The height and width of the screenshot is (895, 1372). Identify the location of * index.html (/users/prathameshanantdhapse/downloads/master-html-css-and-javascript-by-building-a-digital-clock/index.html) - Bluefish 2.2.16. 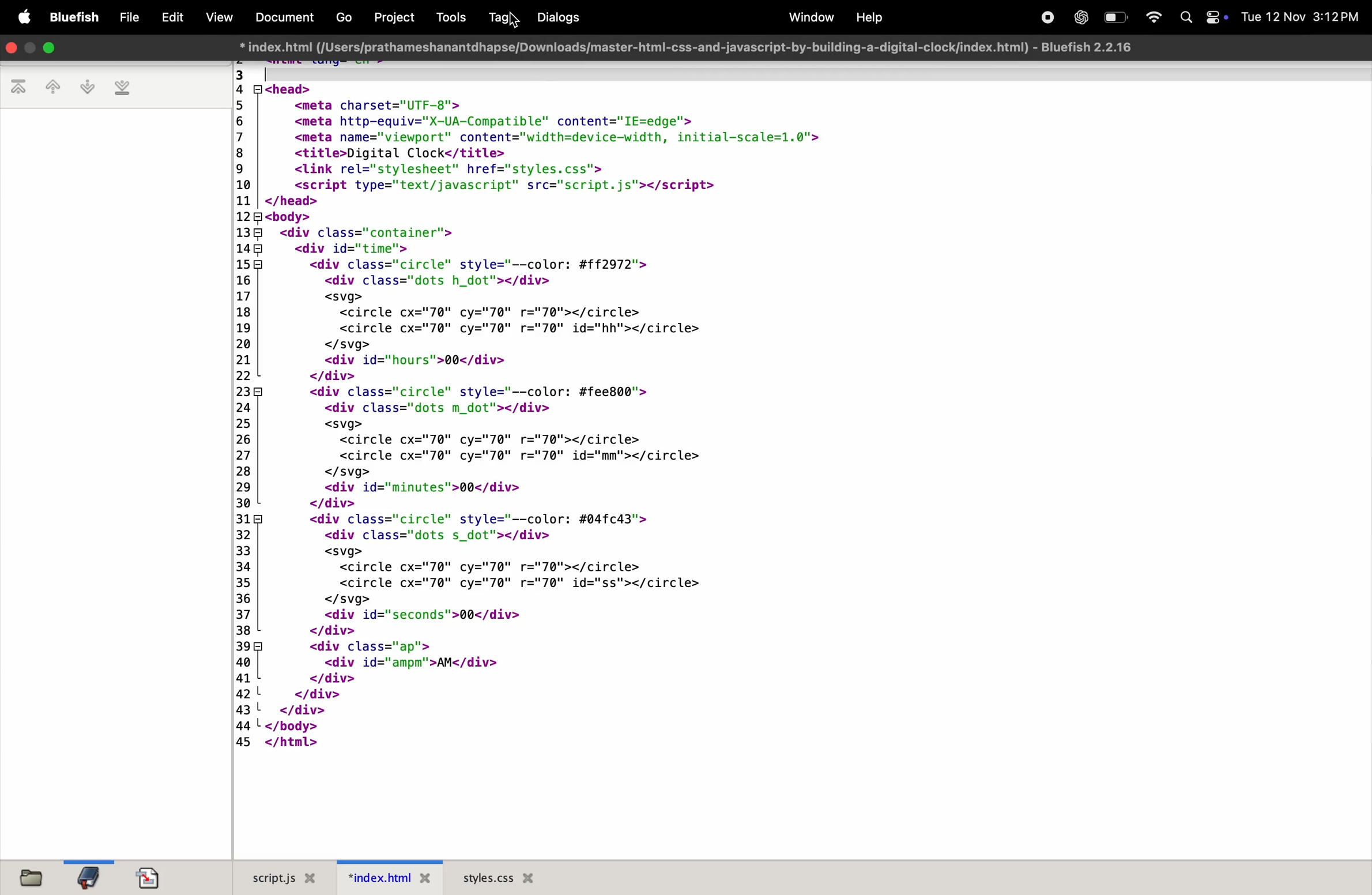
(684, 47).